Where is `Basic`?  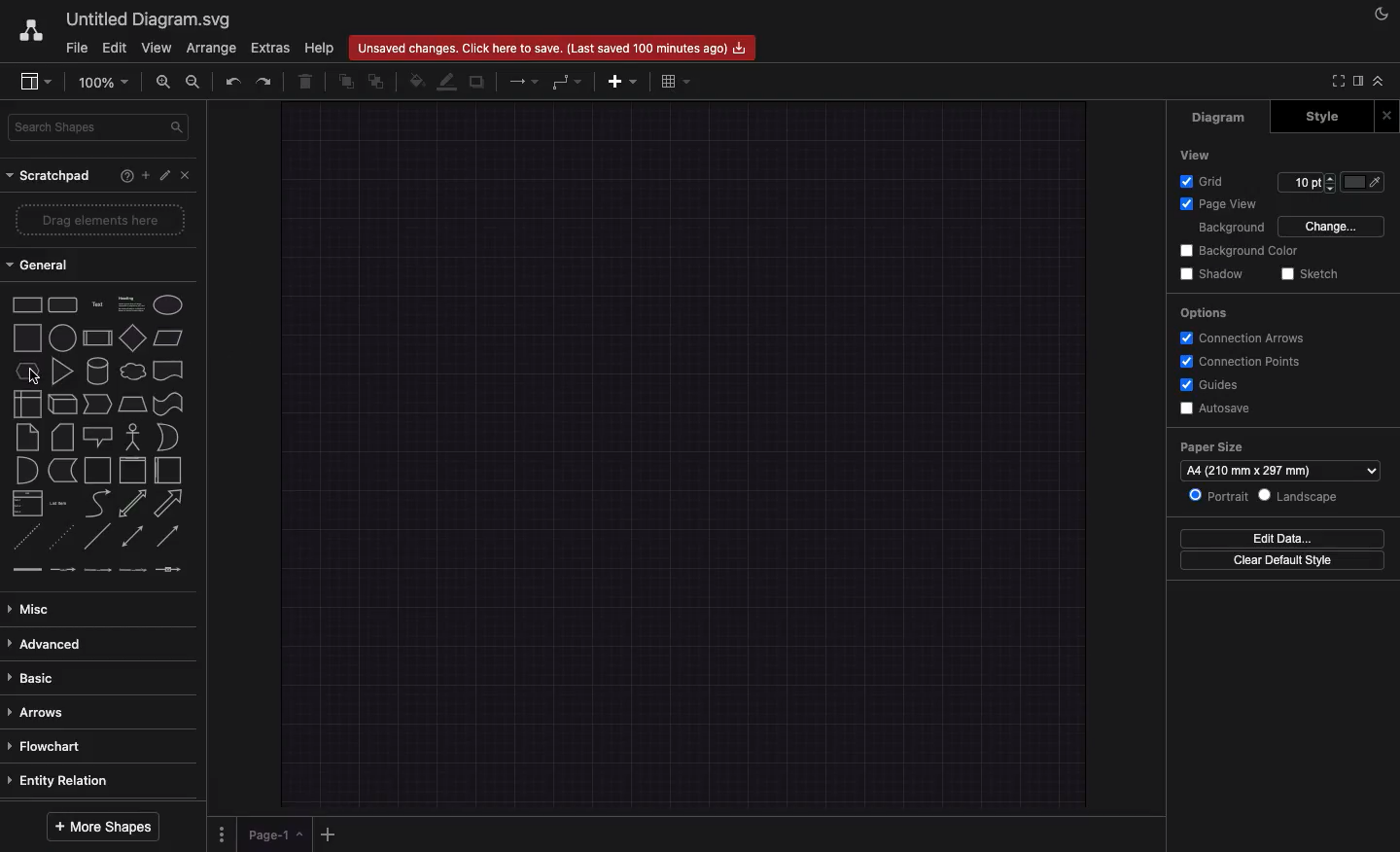
Basic is located at coordinates (34, 677).